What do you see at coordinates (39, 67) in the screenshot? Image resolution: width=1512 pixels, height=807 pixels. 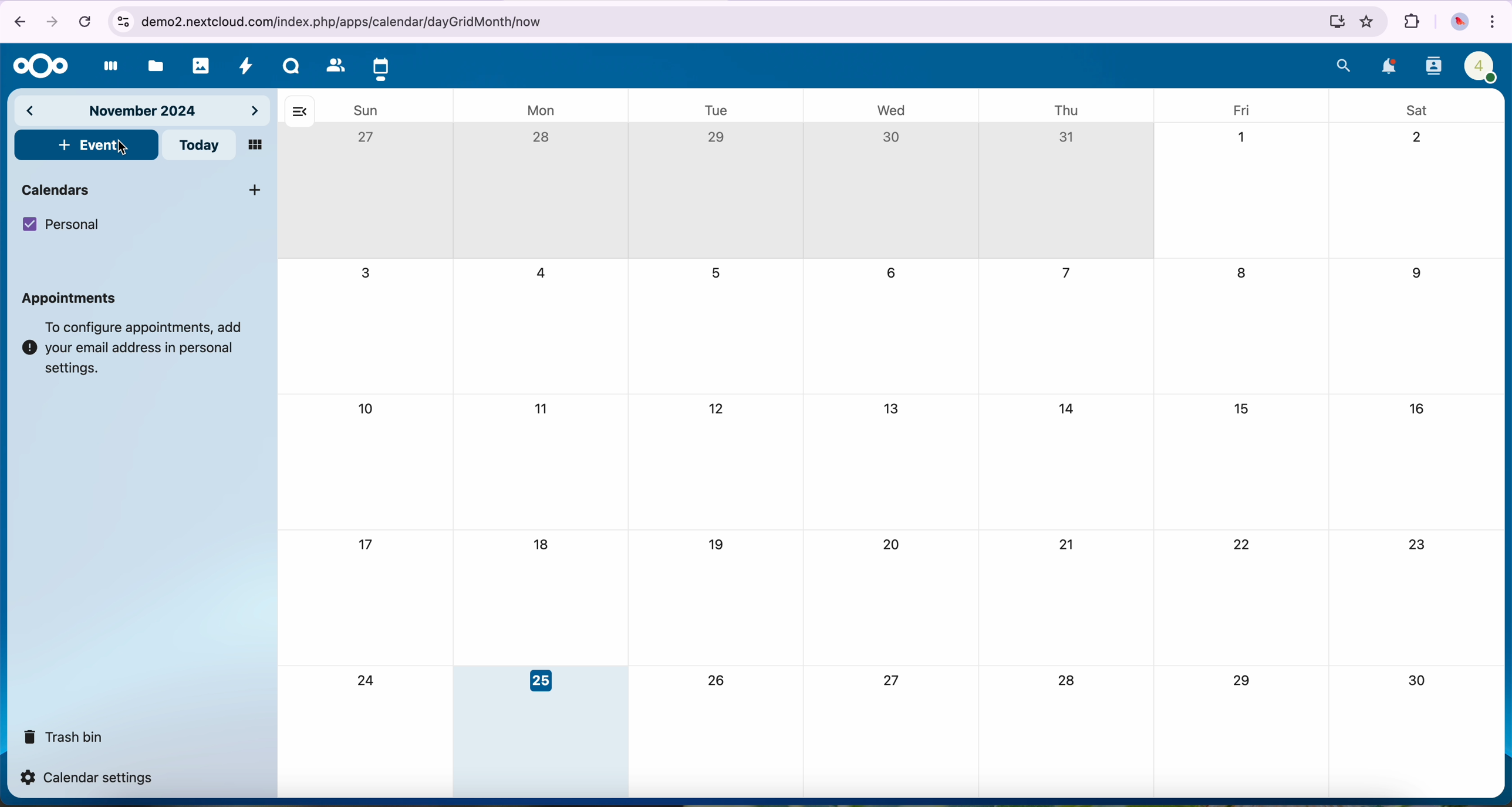 I see `Nextcloud logo` at bounding box center [39, 67].